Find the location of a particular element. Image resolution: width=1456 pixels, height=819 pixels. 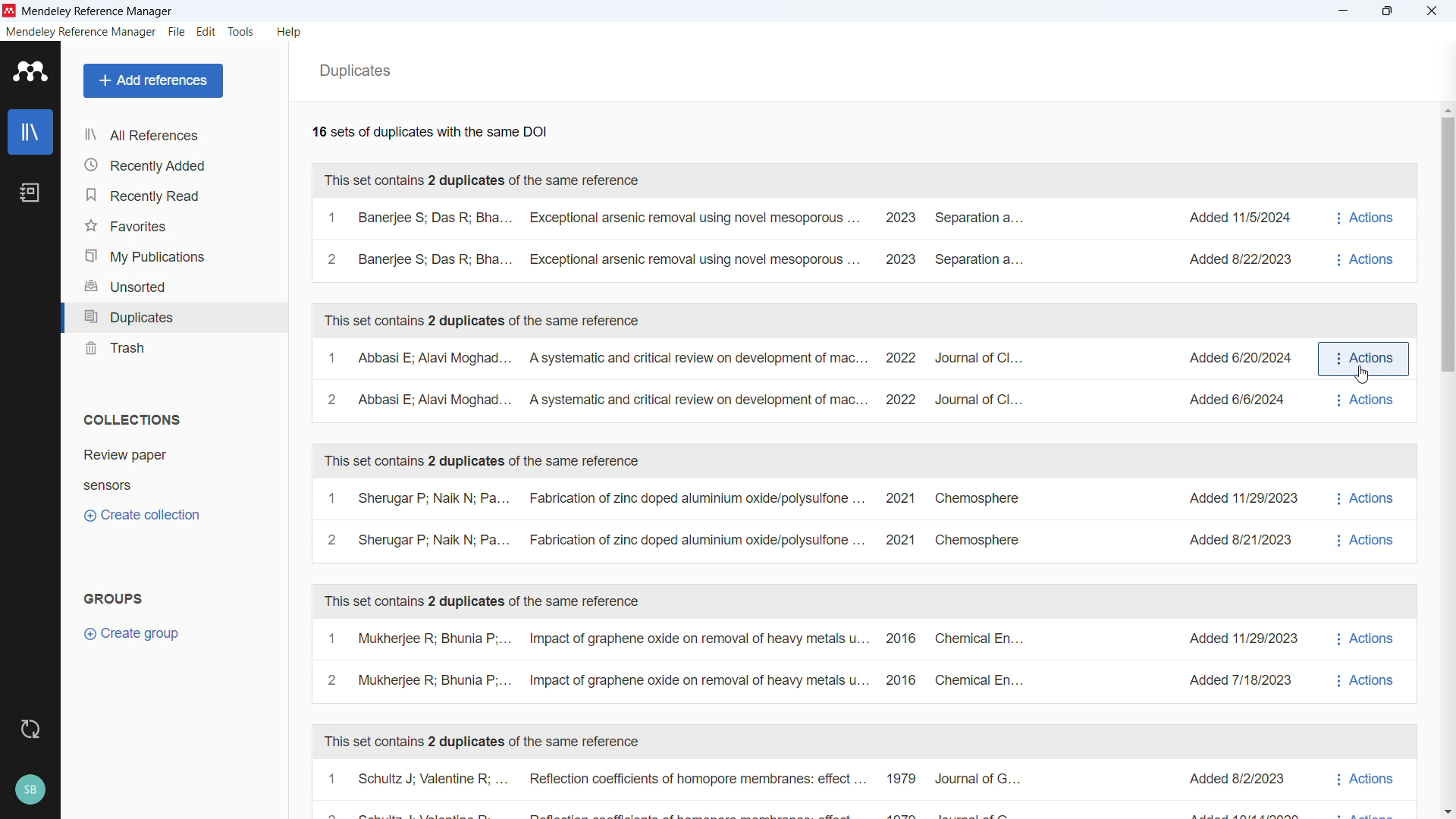

sync is located at coordinates (30, 728).